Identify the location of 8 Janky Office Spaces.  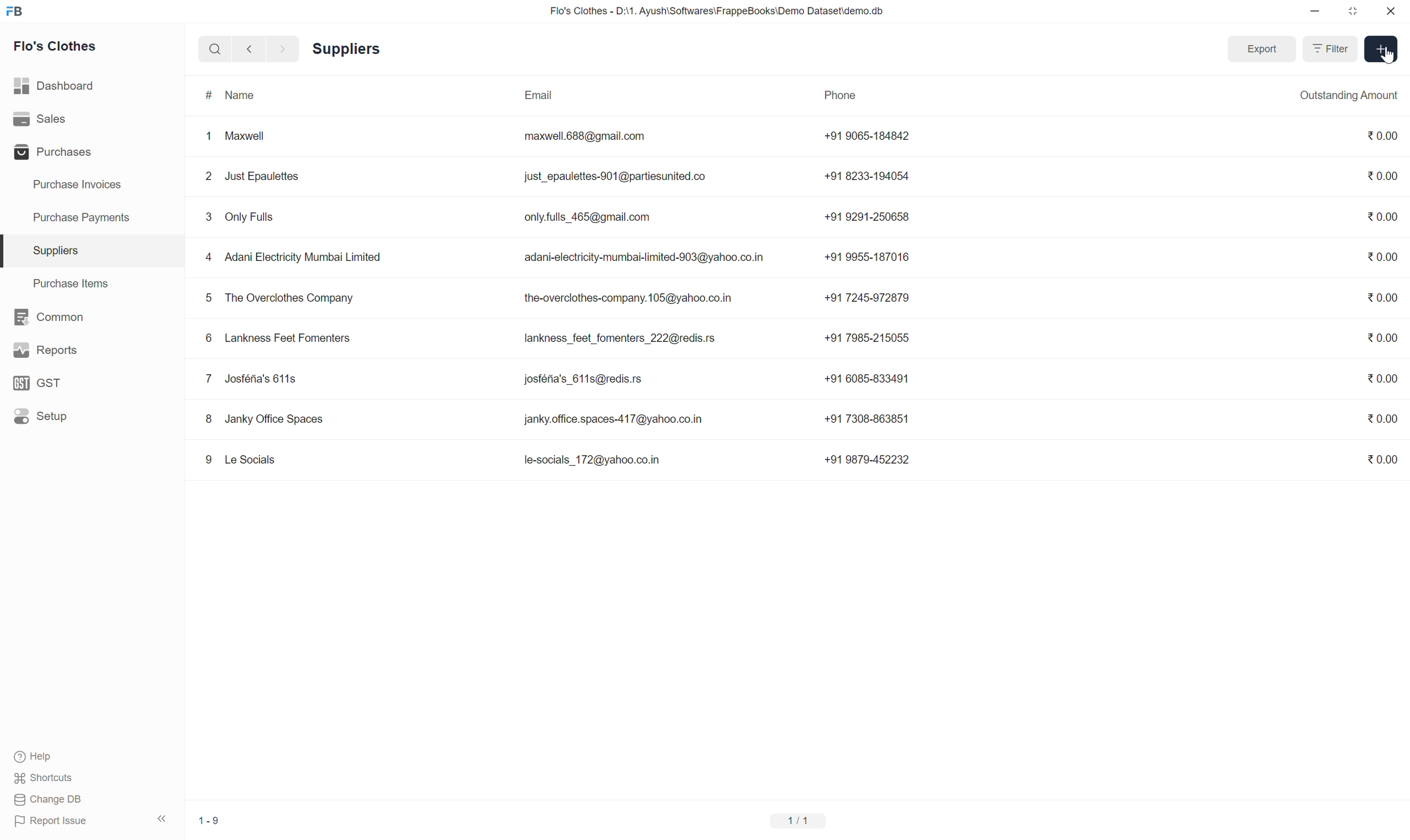
(263, 418).